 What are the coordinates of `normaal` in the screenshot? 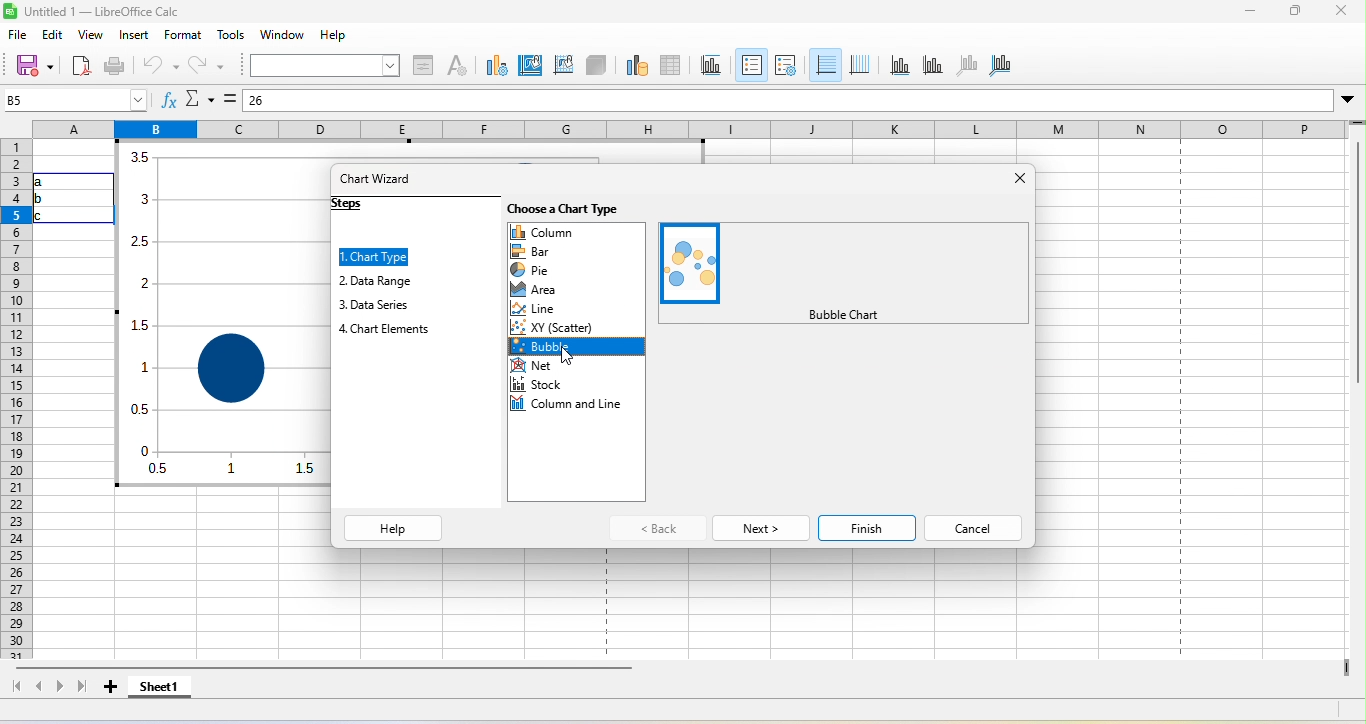 It's located at (842, 314).